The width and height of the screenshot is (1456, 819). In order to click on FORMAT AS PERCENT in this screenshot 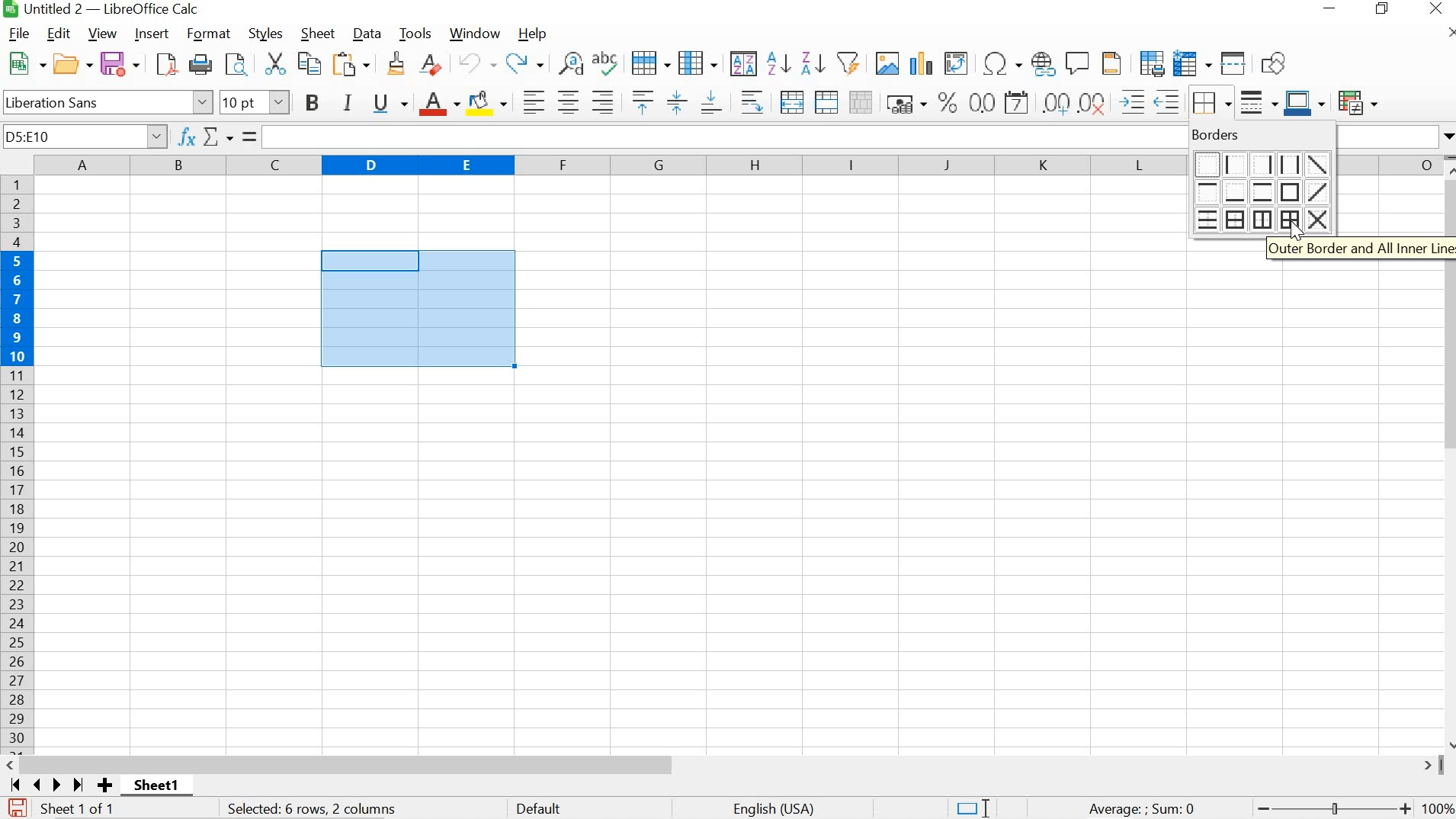, I will do `click(947, 103)`.